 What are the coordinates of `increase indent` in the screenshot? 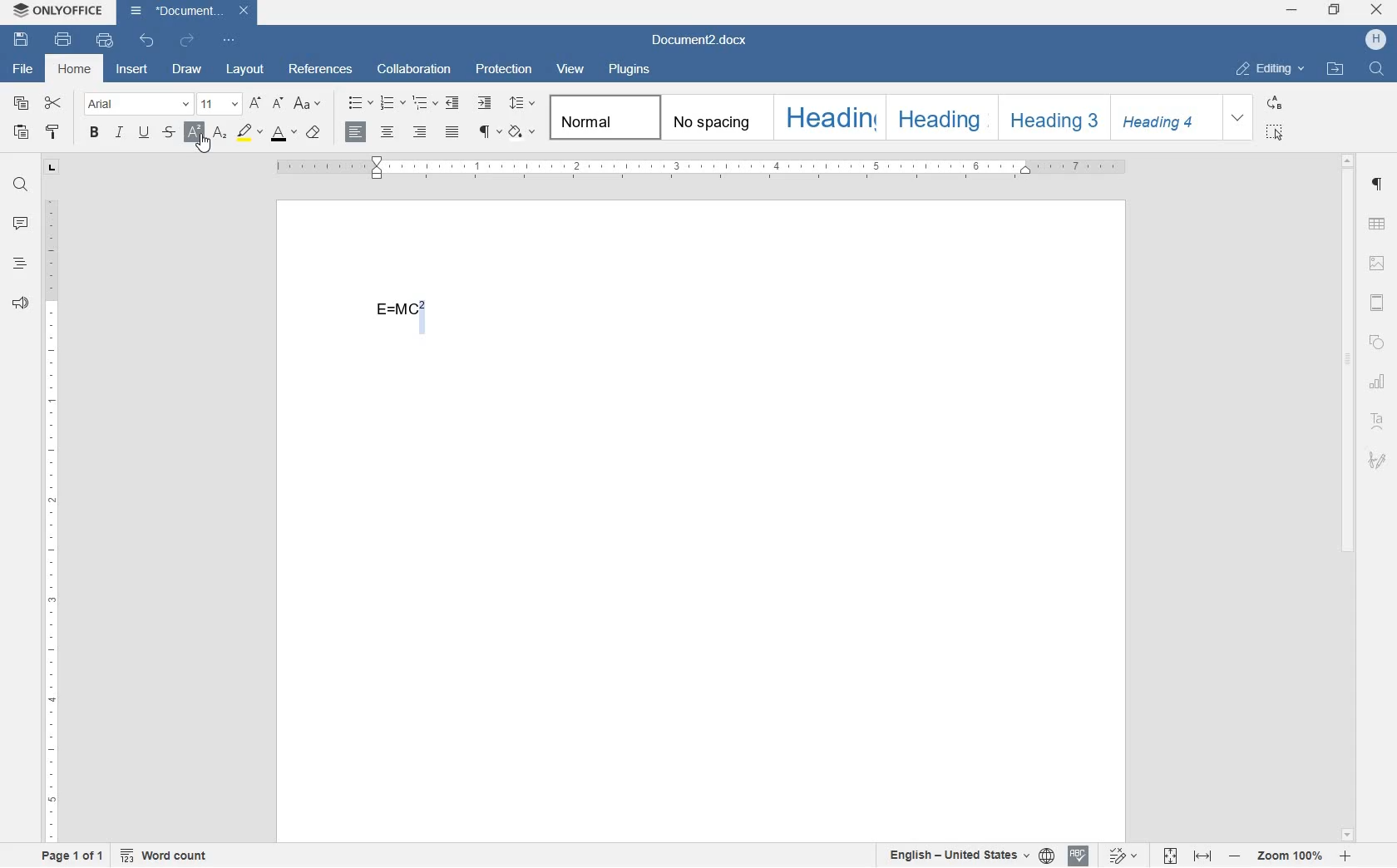 It's located at (484, 102).